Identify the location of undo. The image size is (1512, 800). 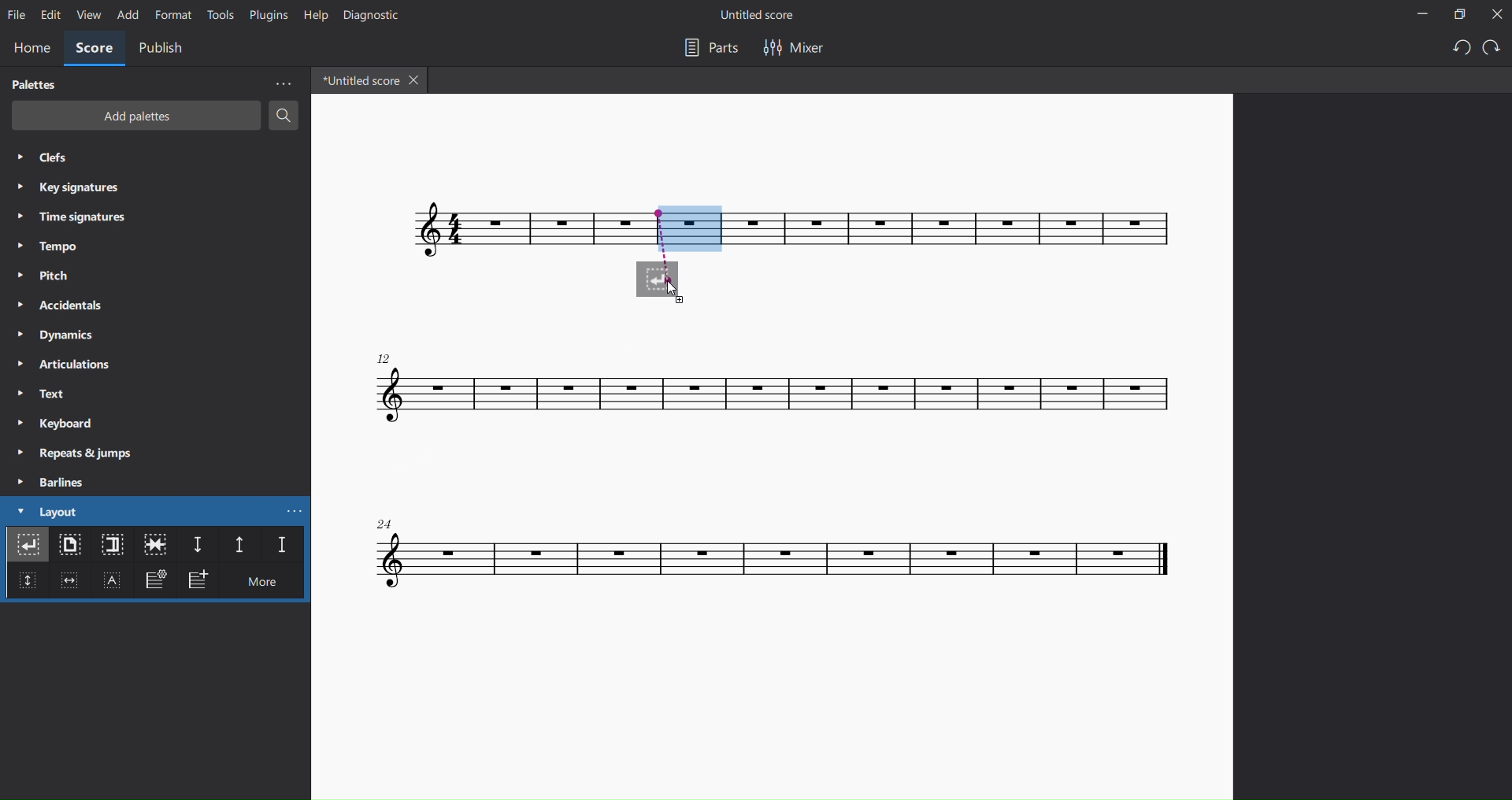
(1455, 49).